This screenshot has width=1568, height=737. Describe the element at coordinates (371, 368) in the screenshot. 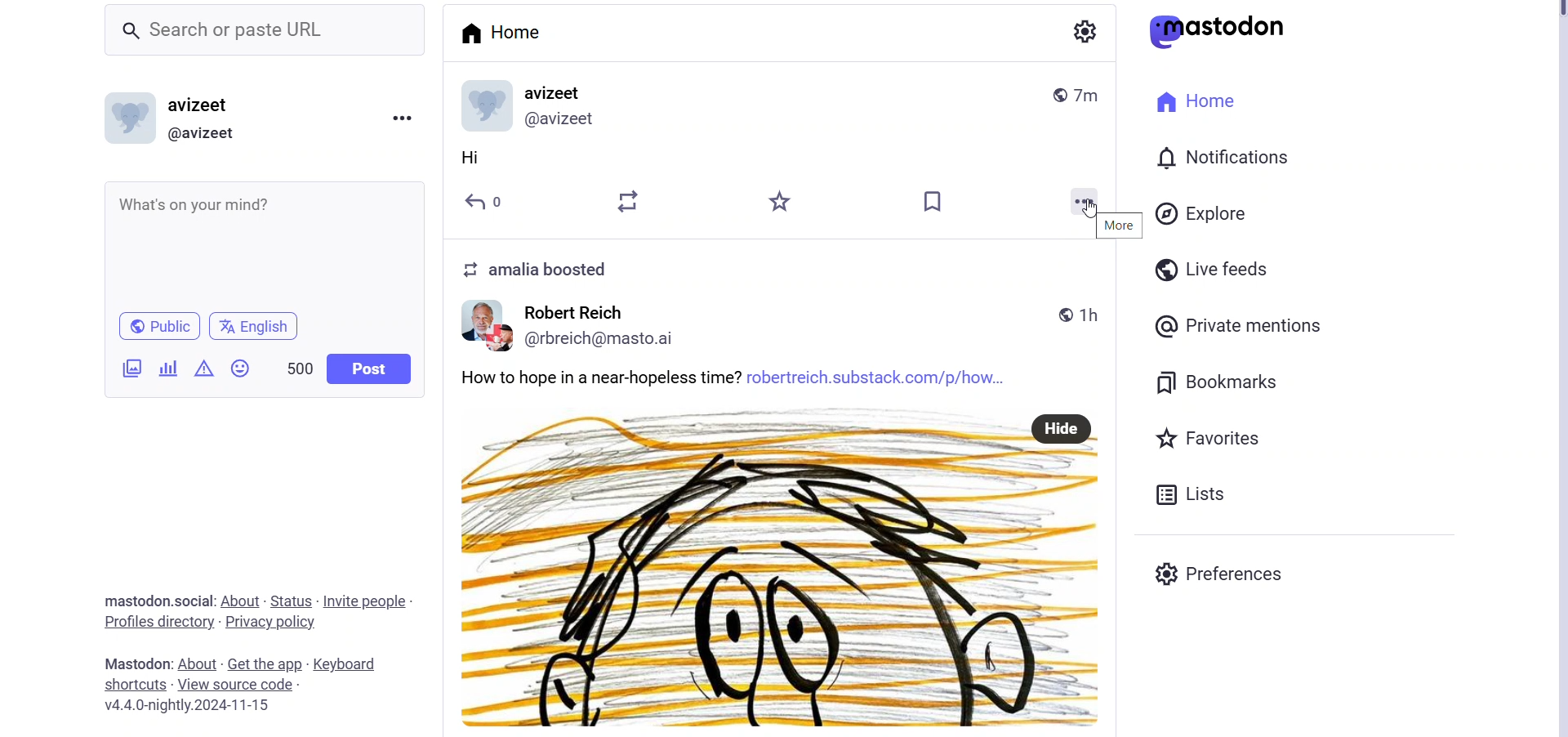

I see `Post` at that location.